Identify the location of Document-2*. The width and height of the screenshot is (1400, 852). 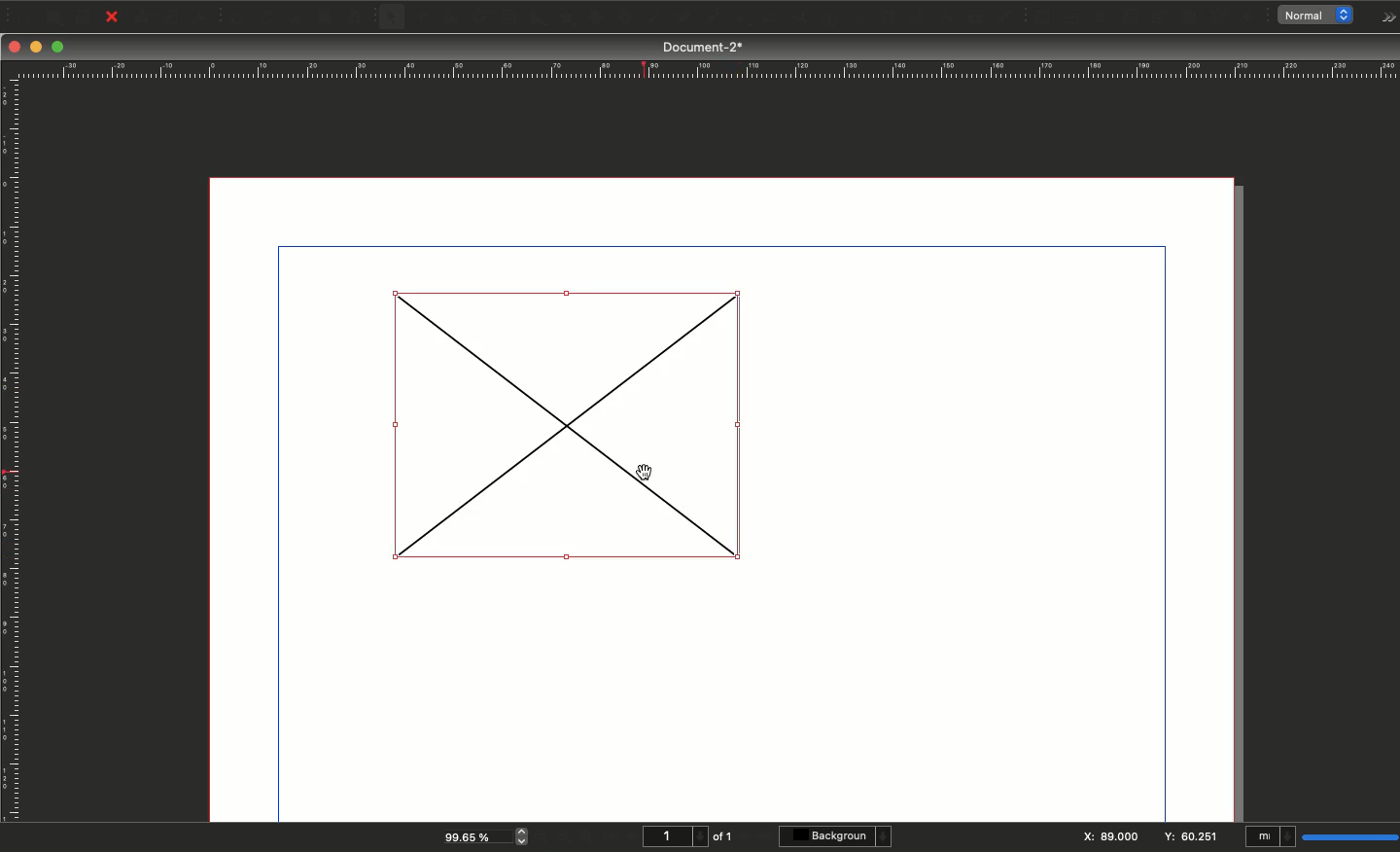
(705, 47).